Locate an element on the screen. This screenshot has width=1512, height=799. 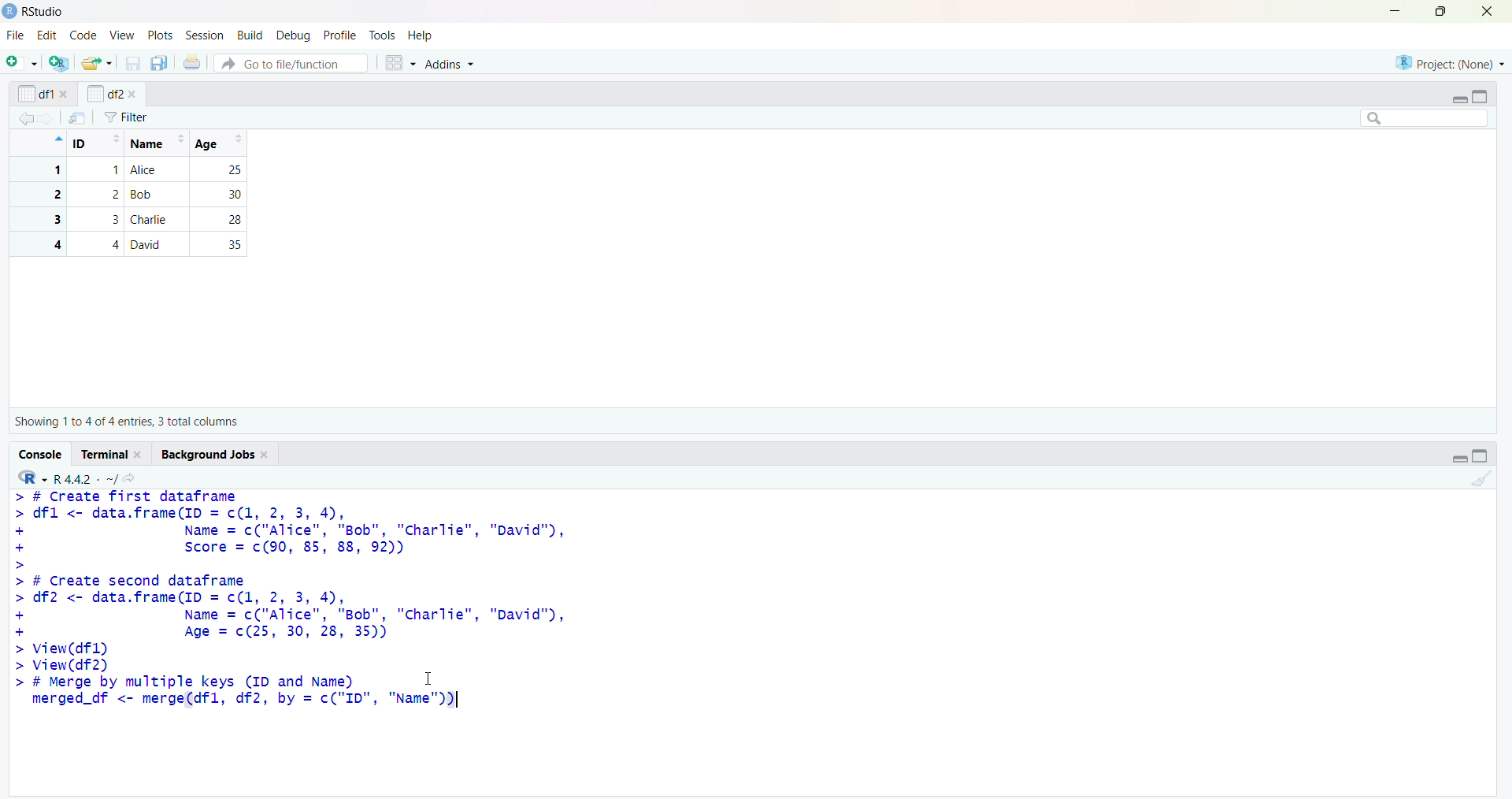
profile is located at coordinates (339, 35).